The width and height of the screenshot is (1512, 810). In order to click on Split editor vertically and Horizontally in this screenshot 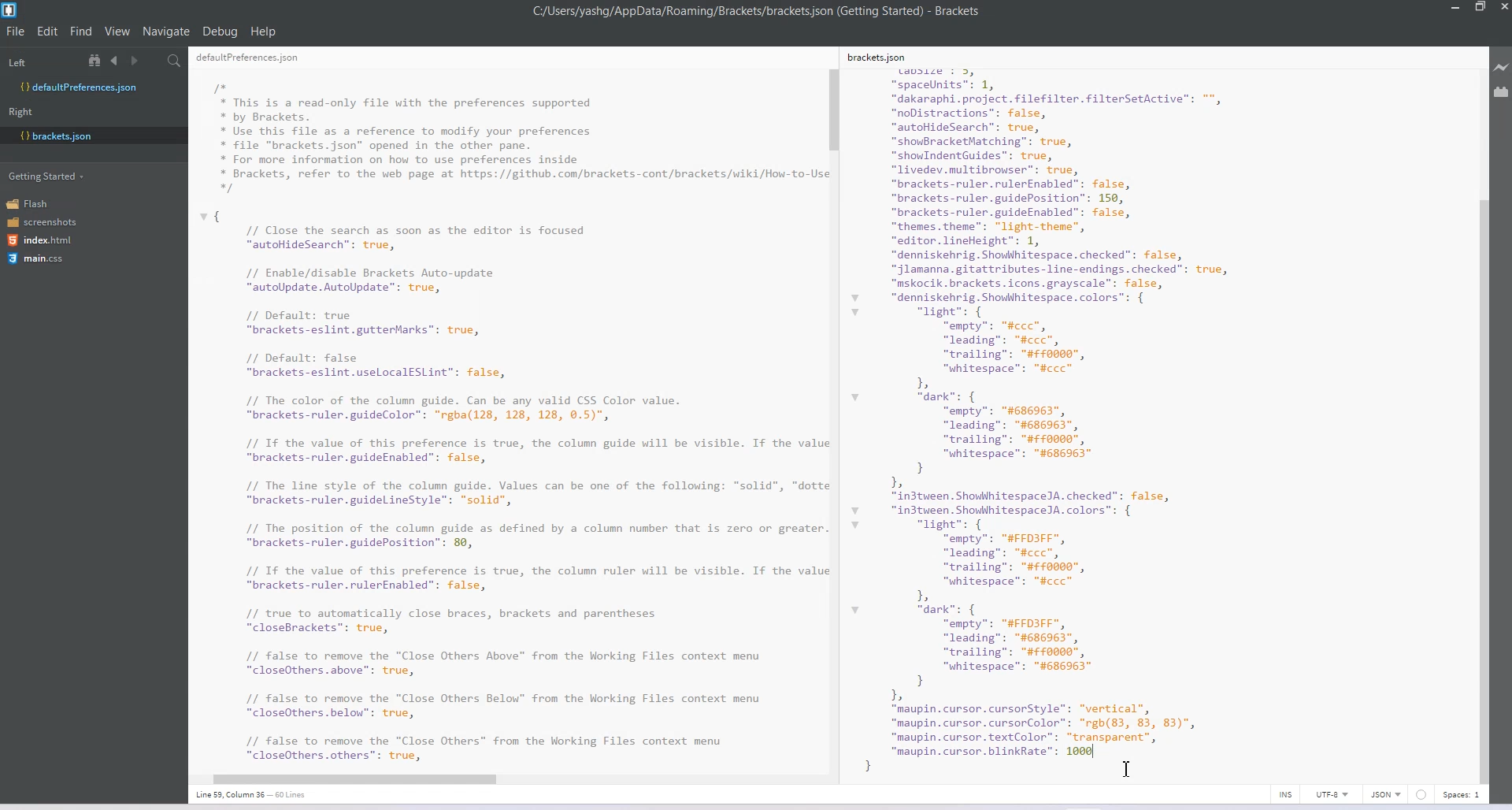, I will do `click(154, 61)`.